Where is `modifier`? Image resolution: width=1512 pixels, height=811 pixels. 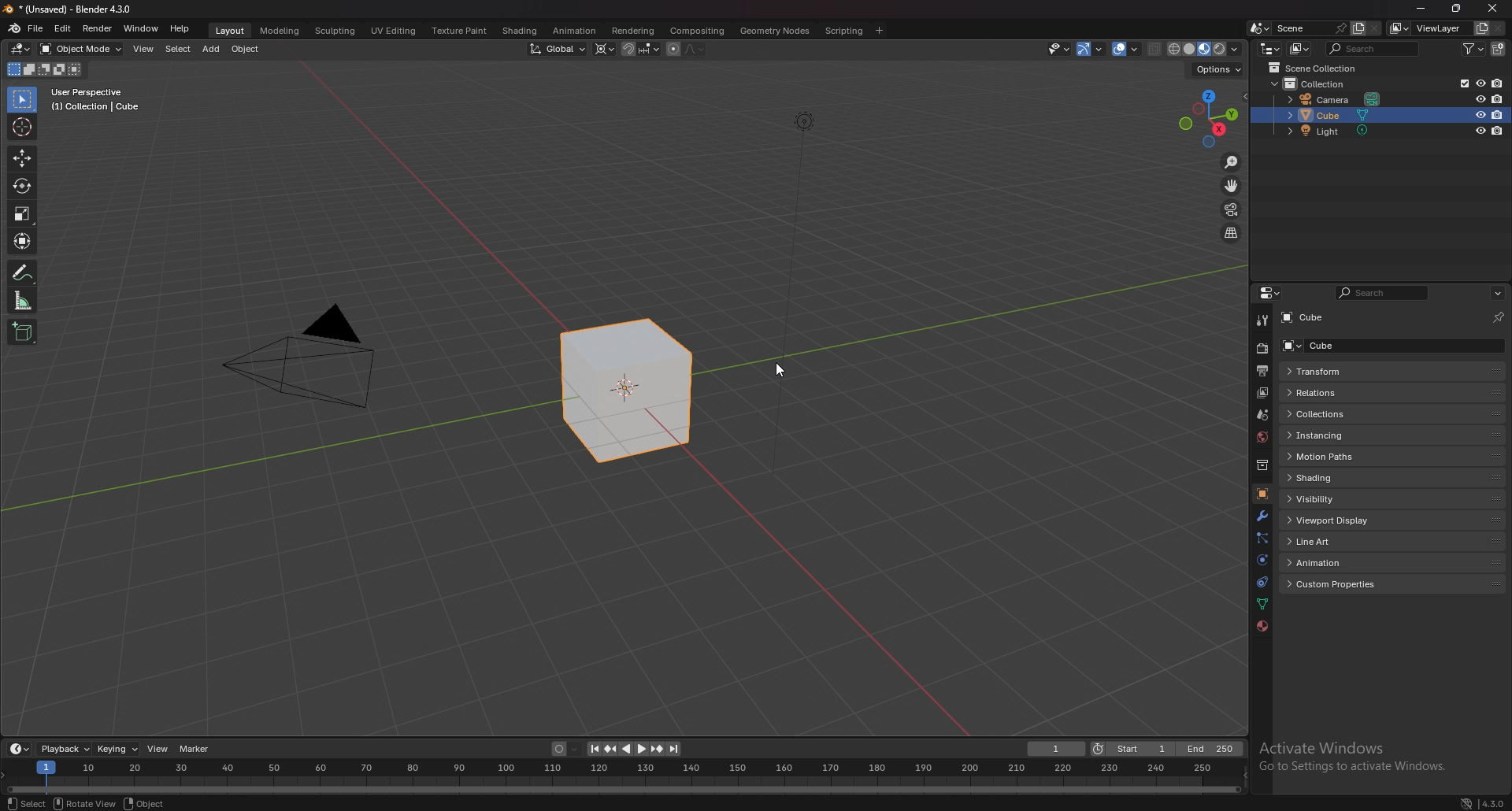
modifier is located at coordinates (1262, 515).